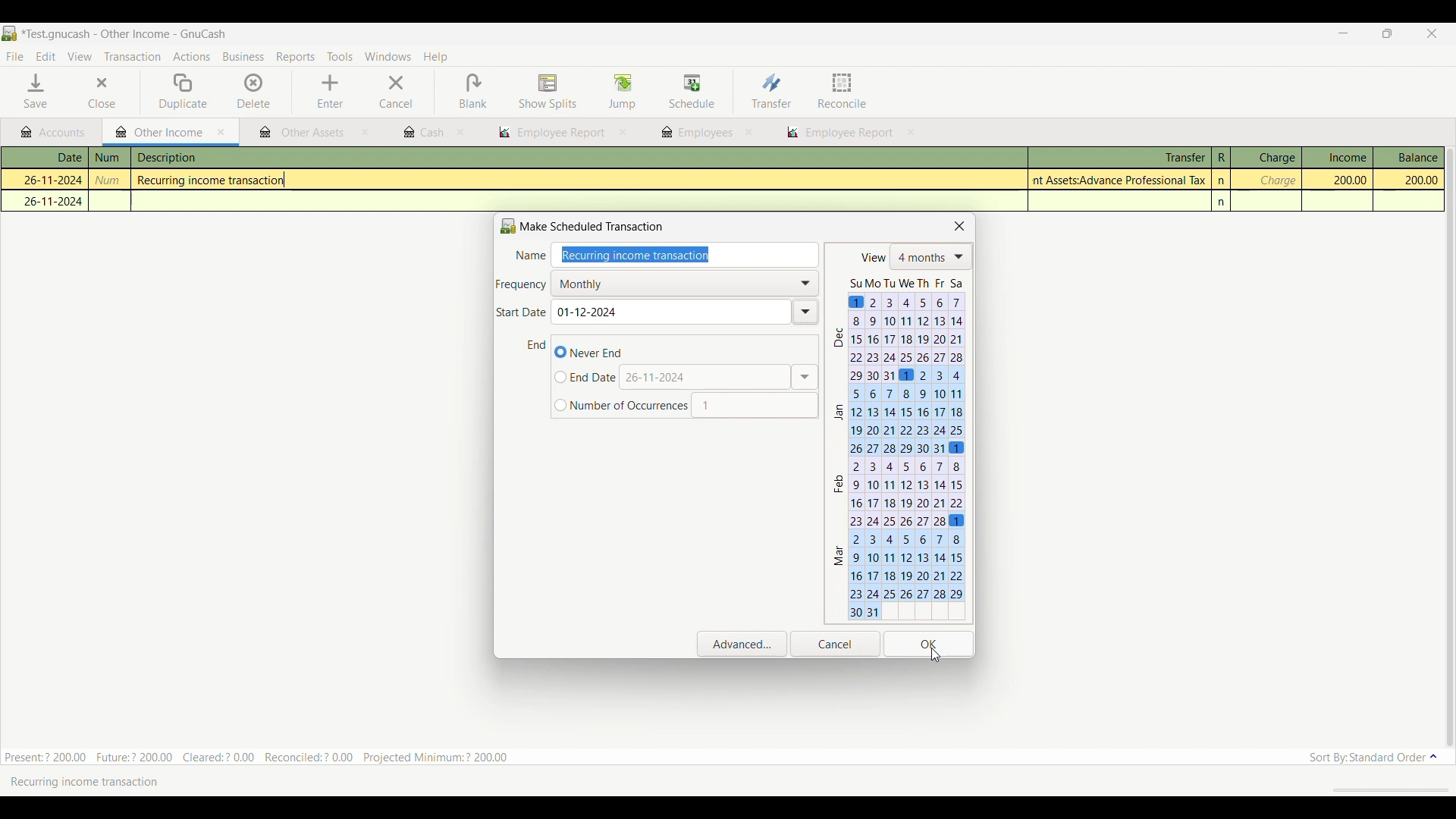 Image resolution: width=1456 pixels, height=819 pixels. What do you see at coordinates (722, 377) in the screenshot?
I see `Enter date manually` at bounding box center [722, 377].